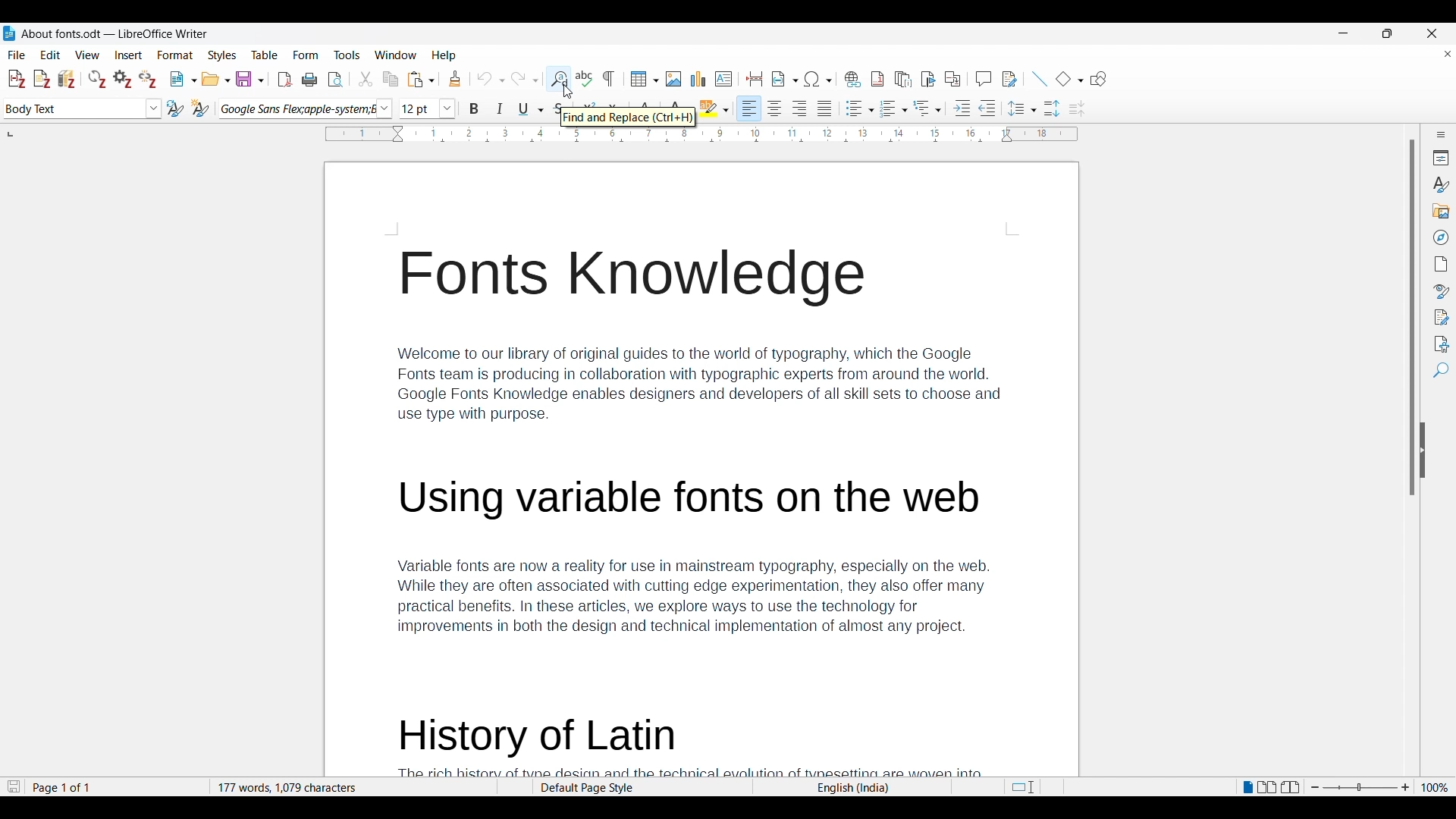  What do you see at coordinates (1412, 318) in the screenshot?
I see `Vertical slide bar` at bounding box center [1412, 318].